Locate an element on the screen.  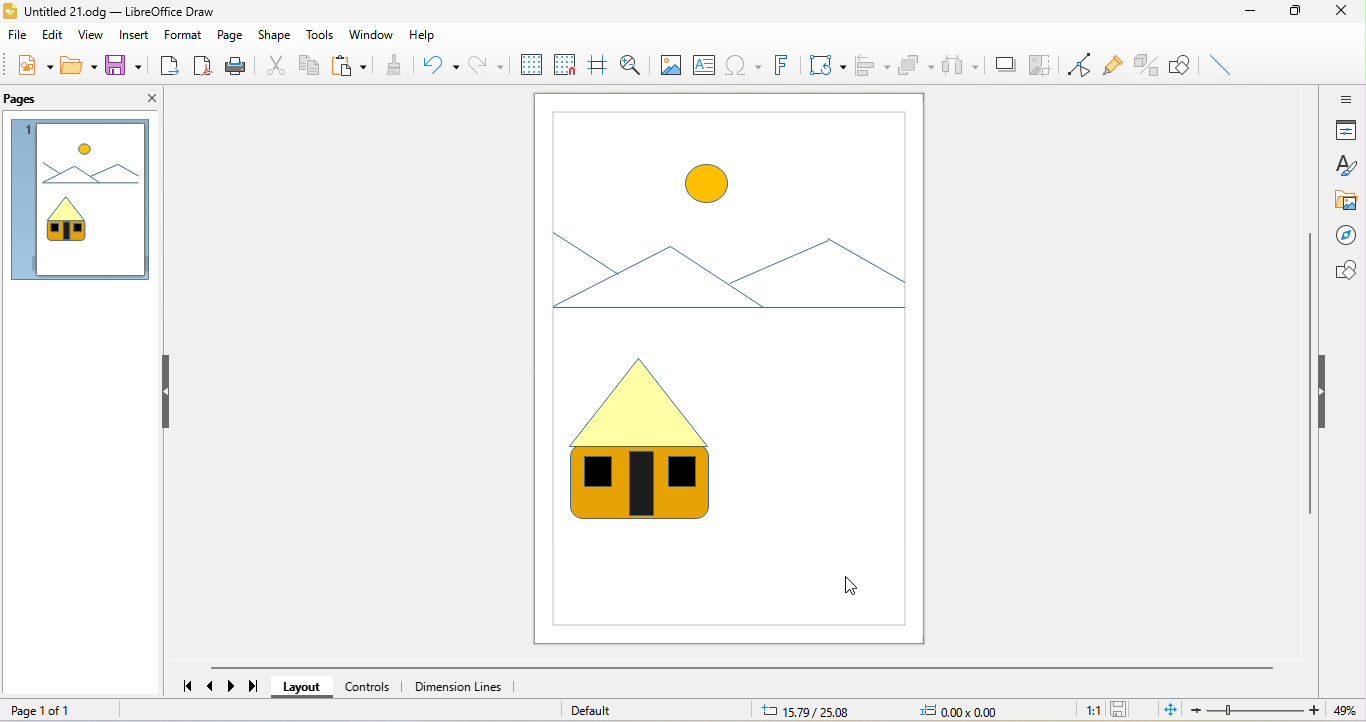
page is located at coordinates (231, 35).